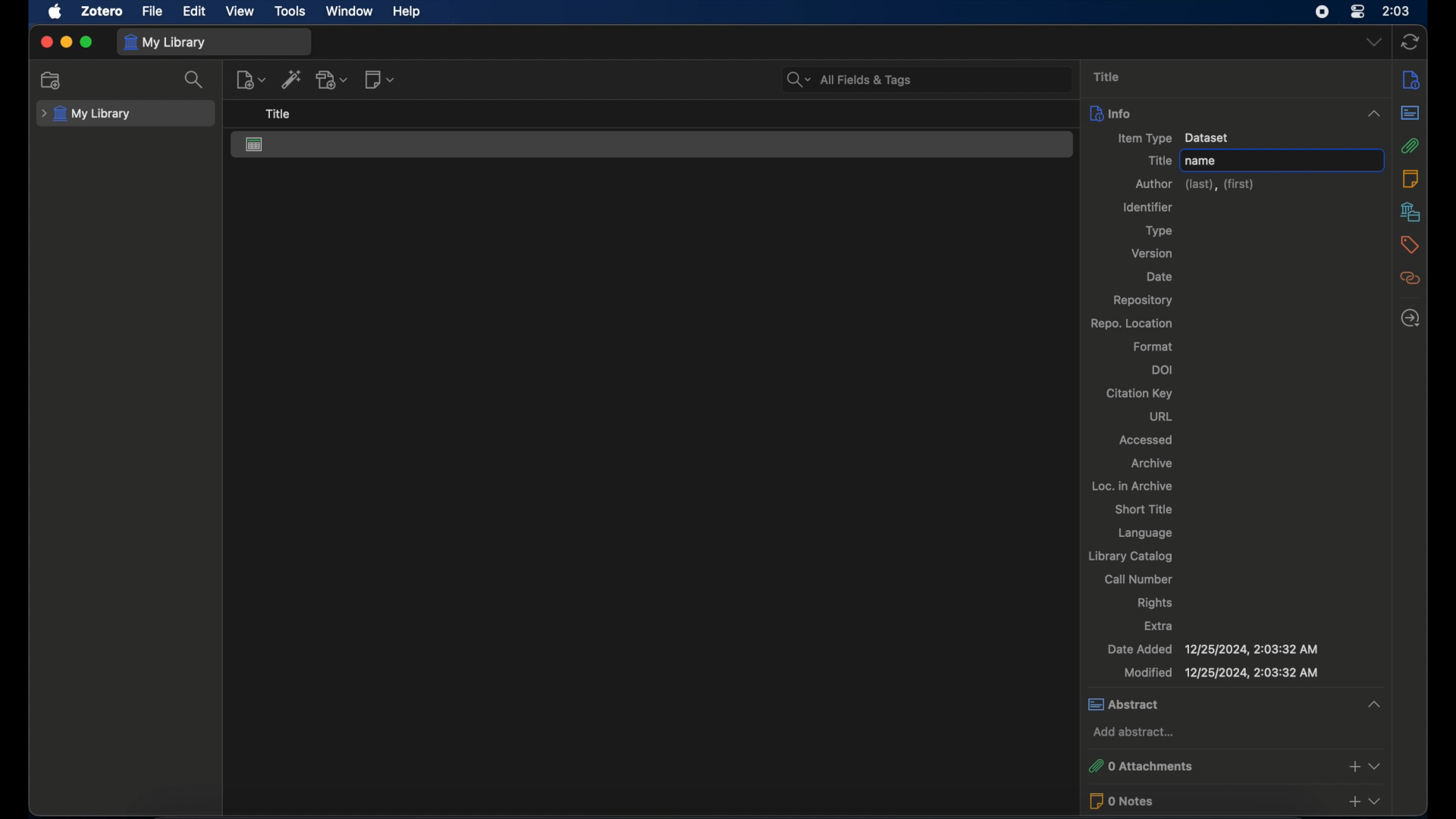 Image resolution: width=1456 pixels, height=819 pixels. I want to click on my library, so click(86, 114).